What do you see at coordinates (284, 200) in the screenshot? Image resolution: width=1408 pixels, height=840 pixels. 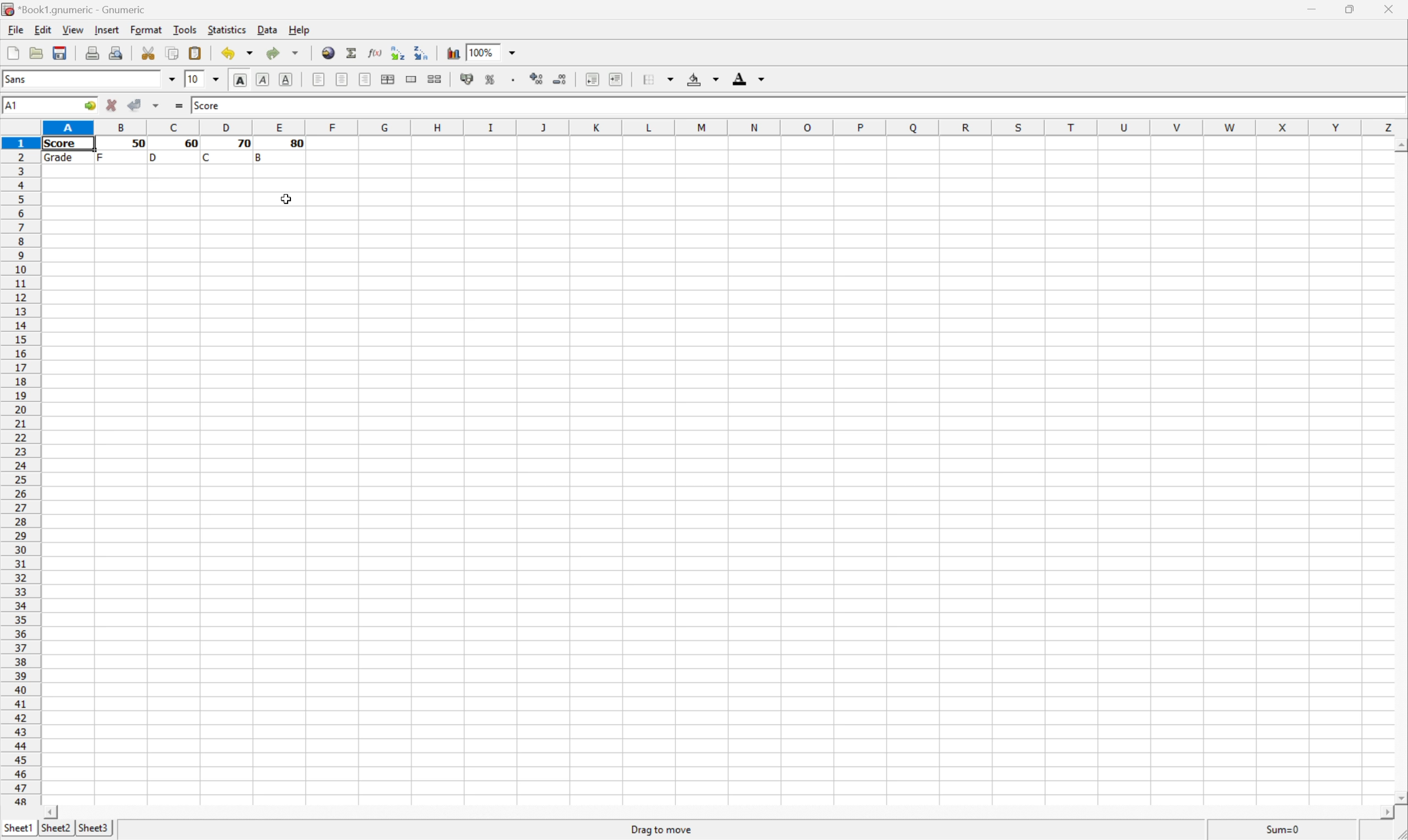 I see `Cursor` at bounding box center [284, 200].